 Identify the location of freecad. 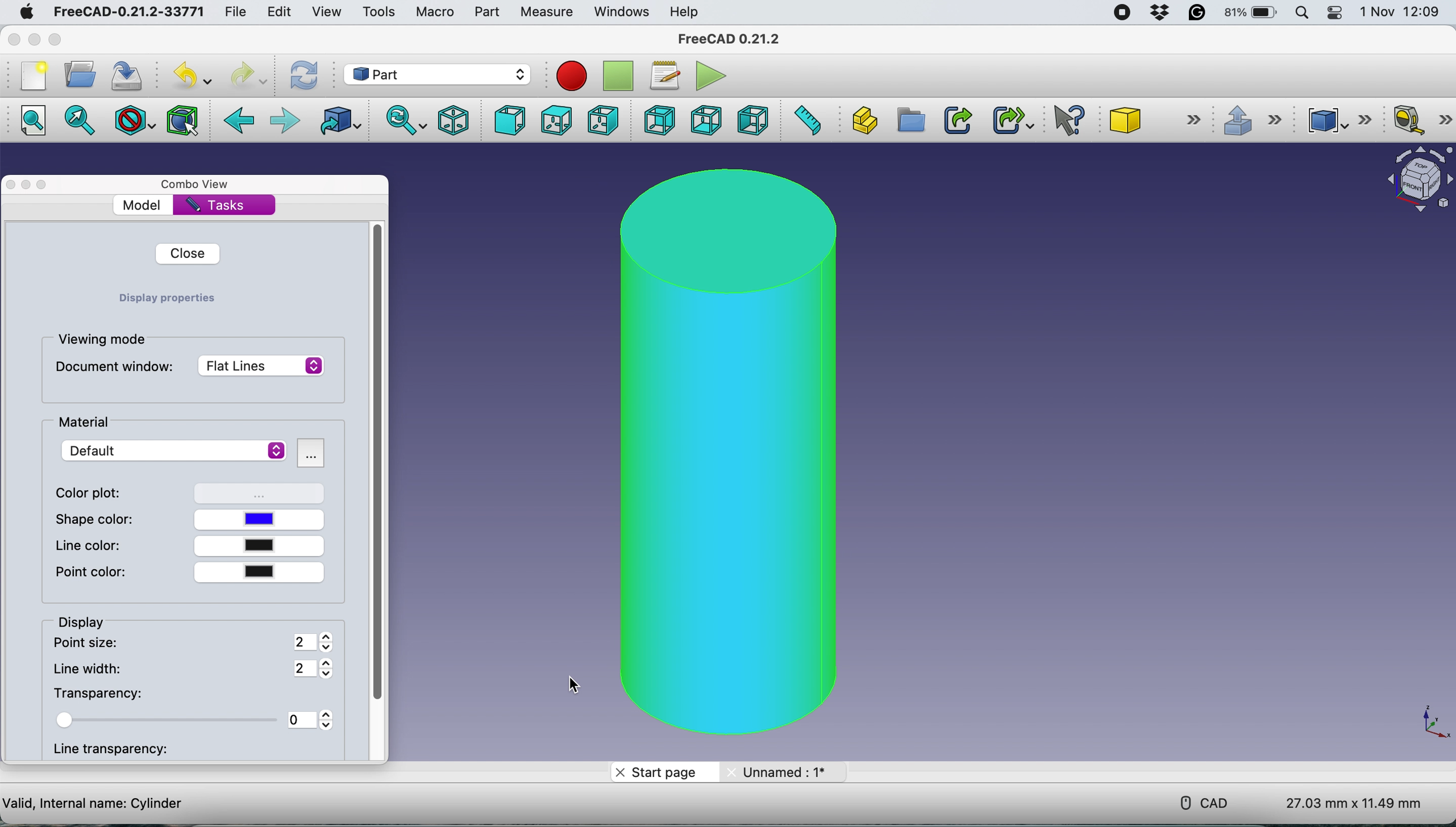
(729, 36).